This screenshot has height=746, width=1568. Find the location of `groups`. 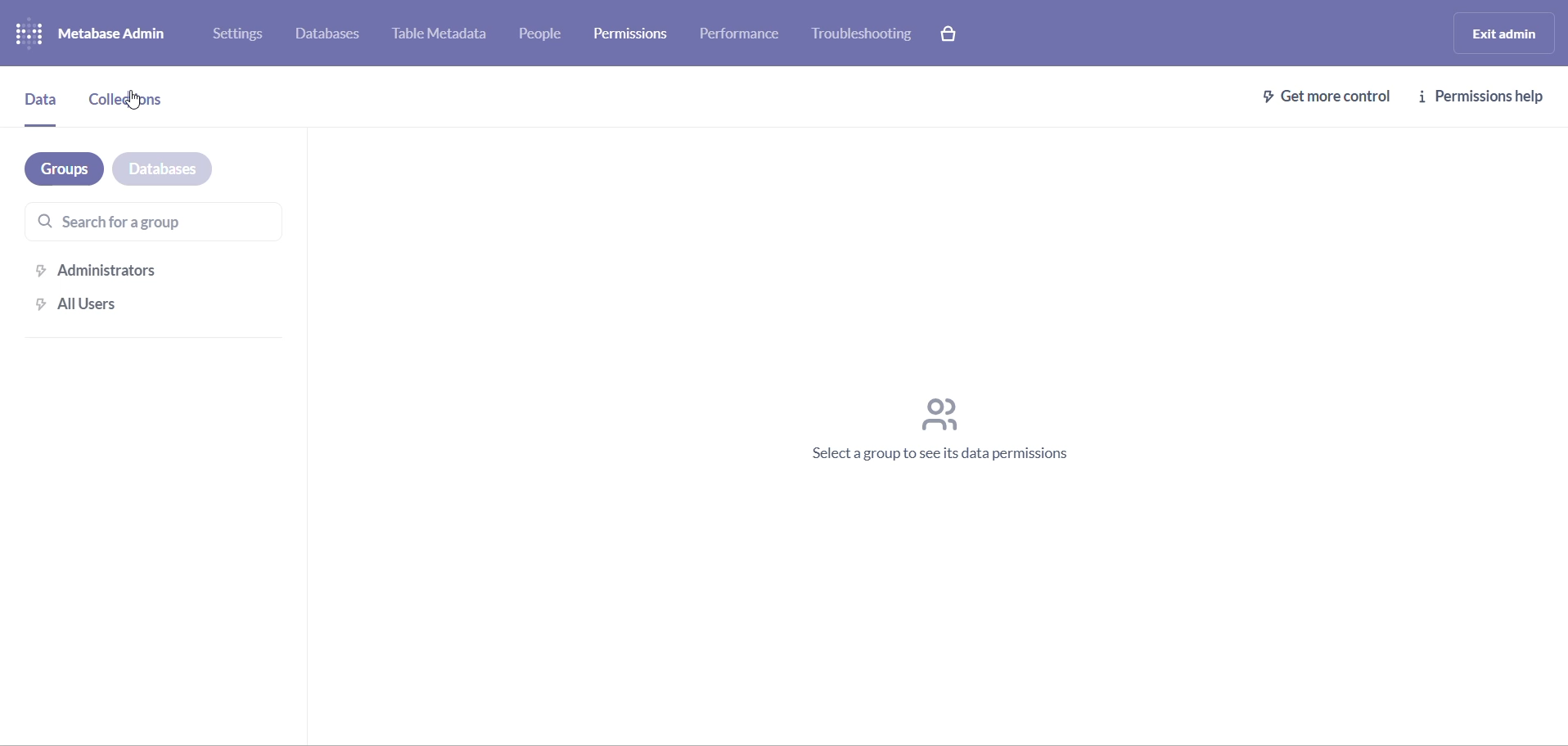

groups is located at coordinates (65, 172).